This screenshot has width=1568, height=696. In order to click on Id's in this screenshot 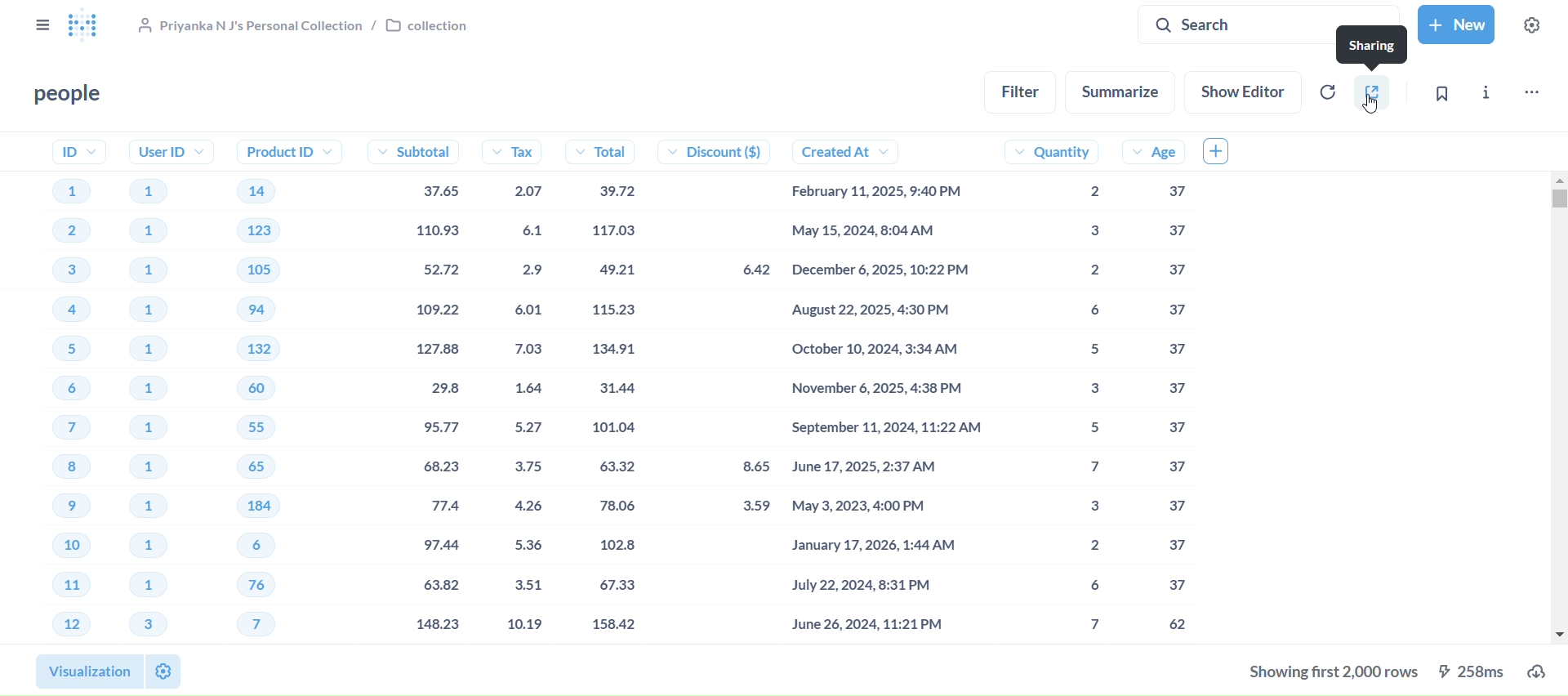, I will do `click(62, 388)`.